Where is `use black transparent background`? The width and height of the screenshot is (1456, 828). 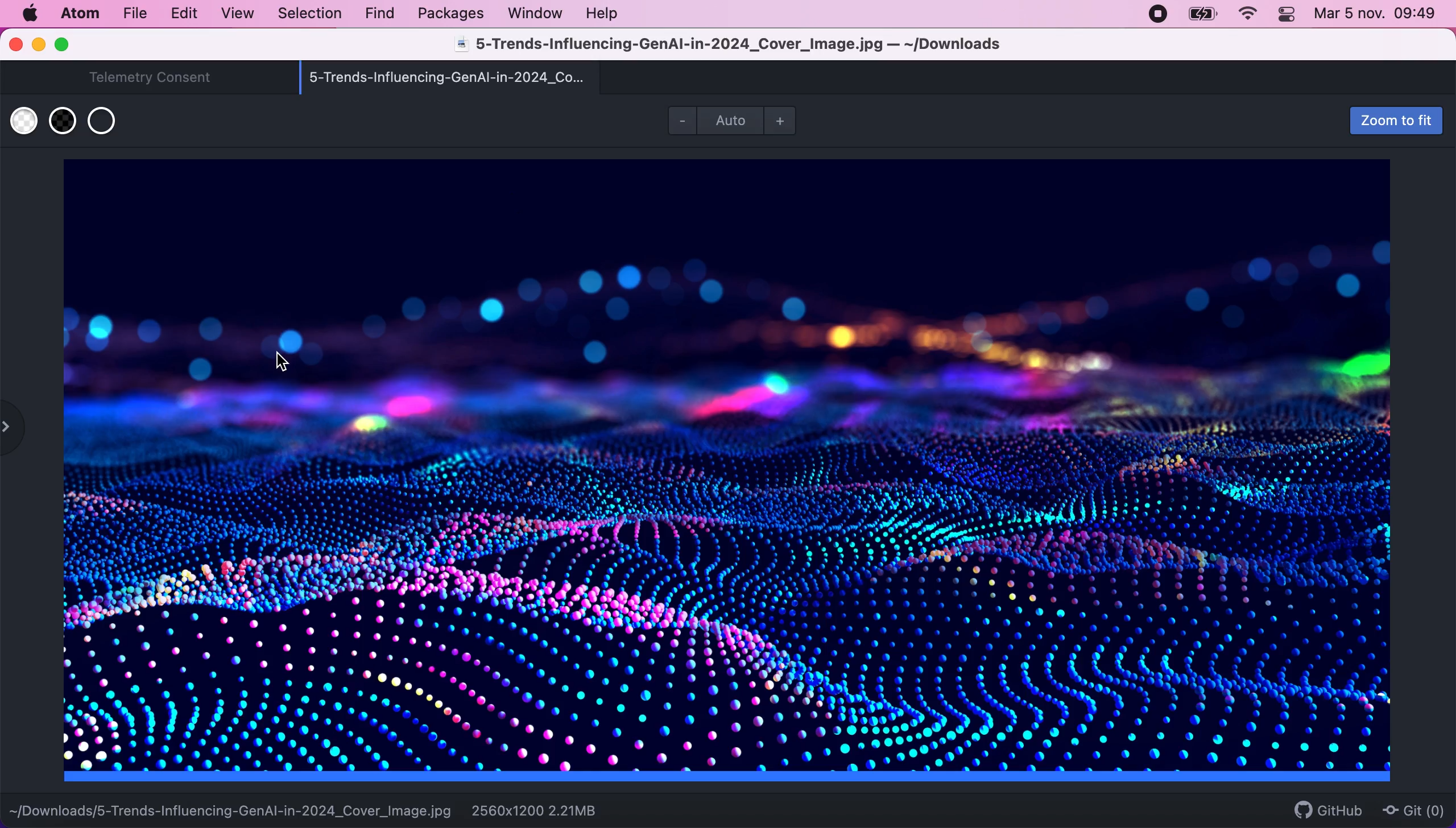
use black transparent background is located at coordinates (67, 121).